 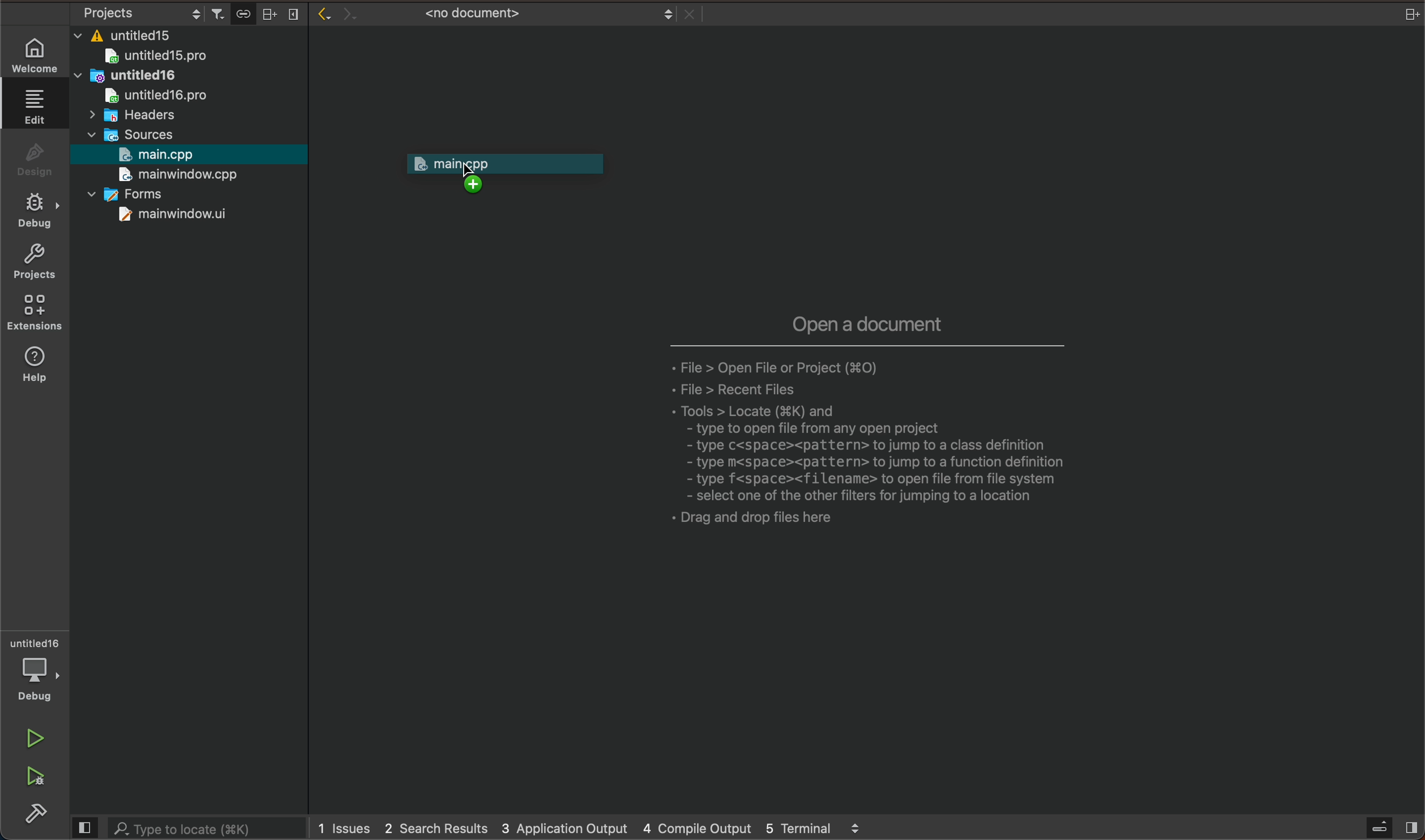 I want to click on main.cpp, so click(x=161, y=156).